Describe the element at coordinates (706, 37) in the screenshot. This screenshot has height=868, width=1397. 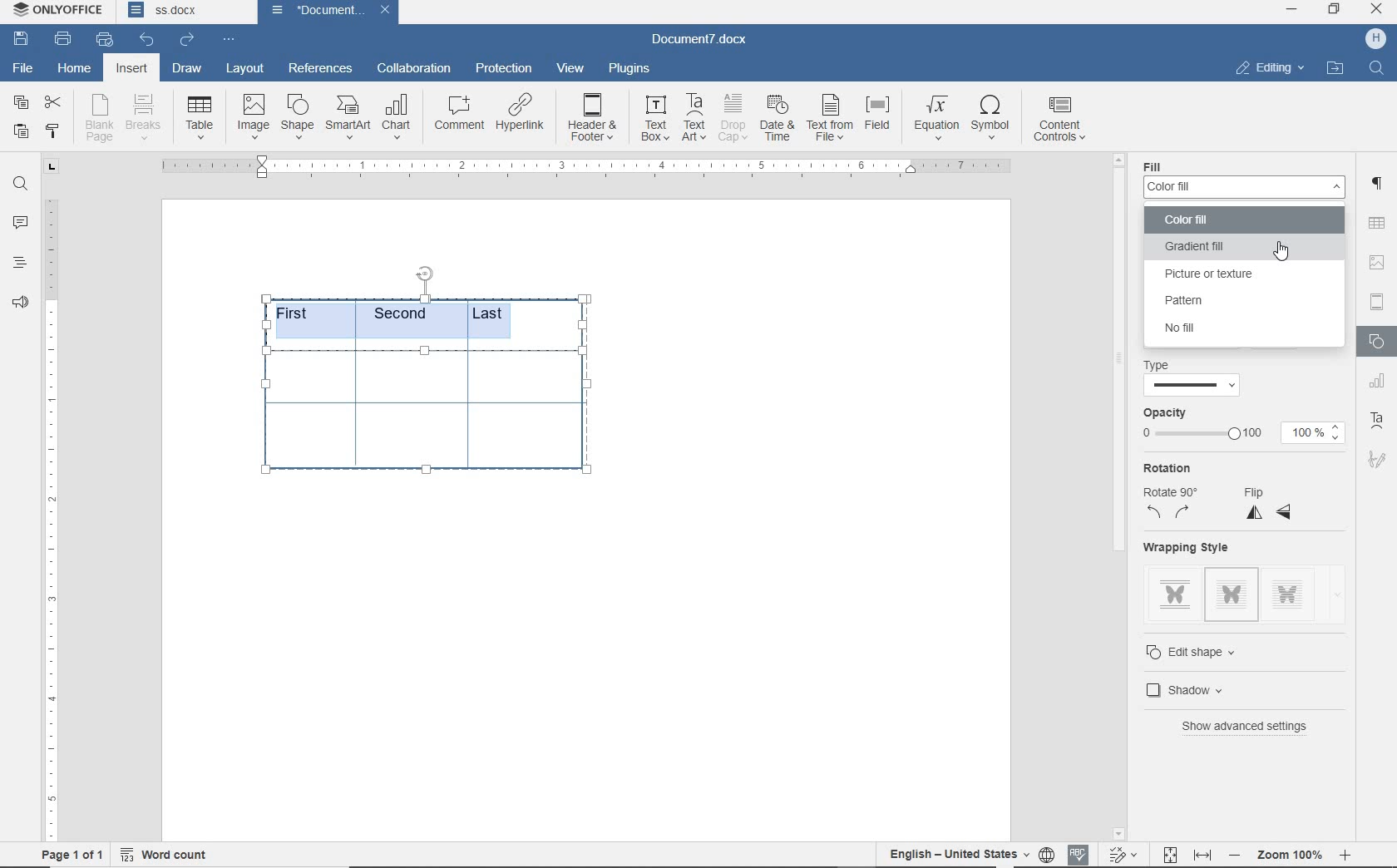
I see `document name` at that location.